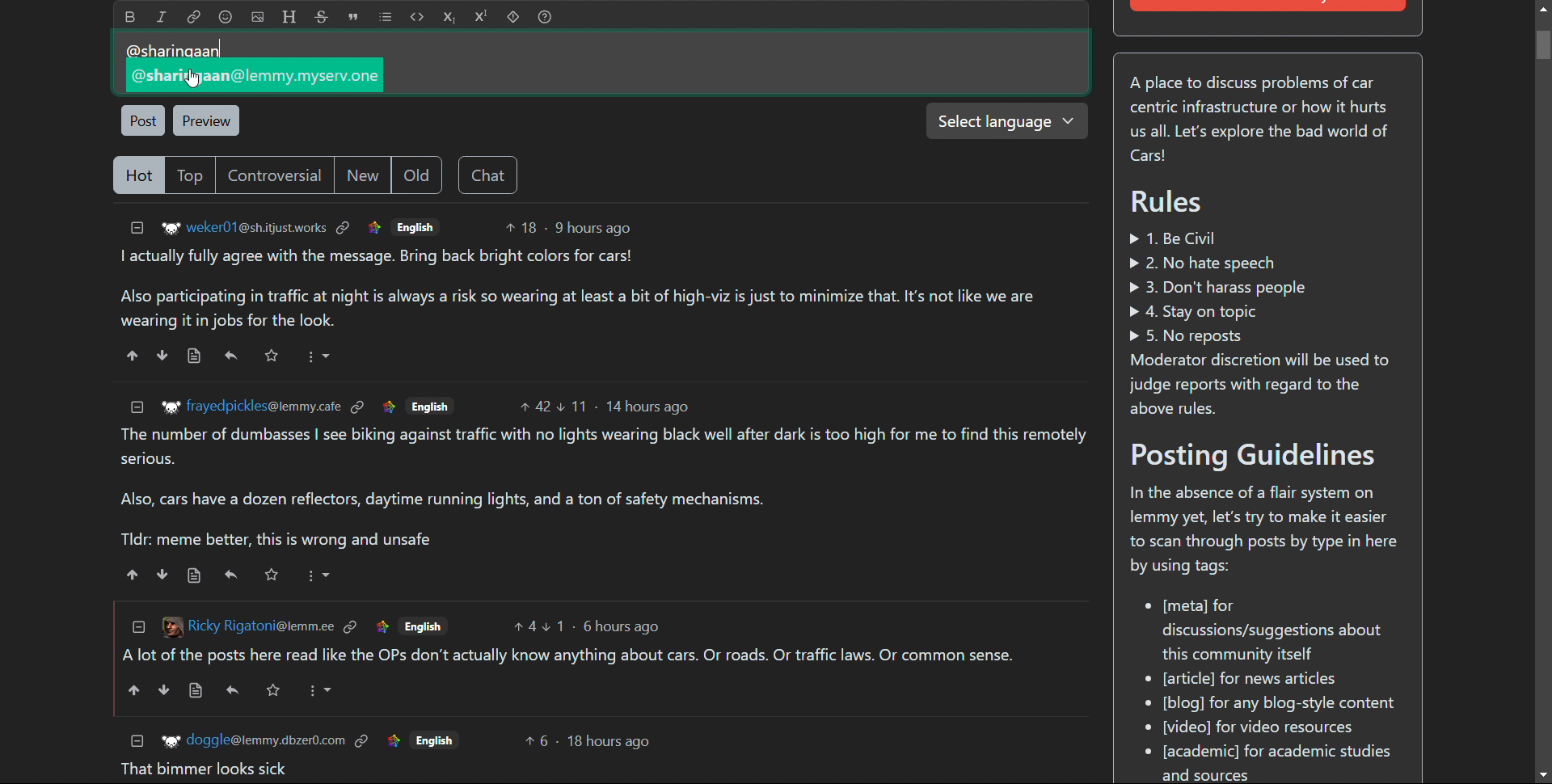 This screenshot has width=1552, height=784. Describe the element at coordinates (592, 228) in the screenshot. I see `9 hours ago` at that location.